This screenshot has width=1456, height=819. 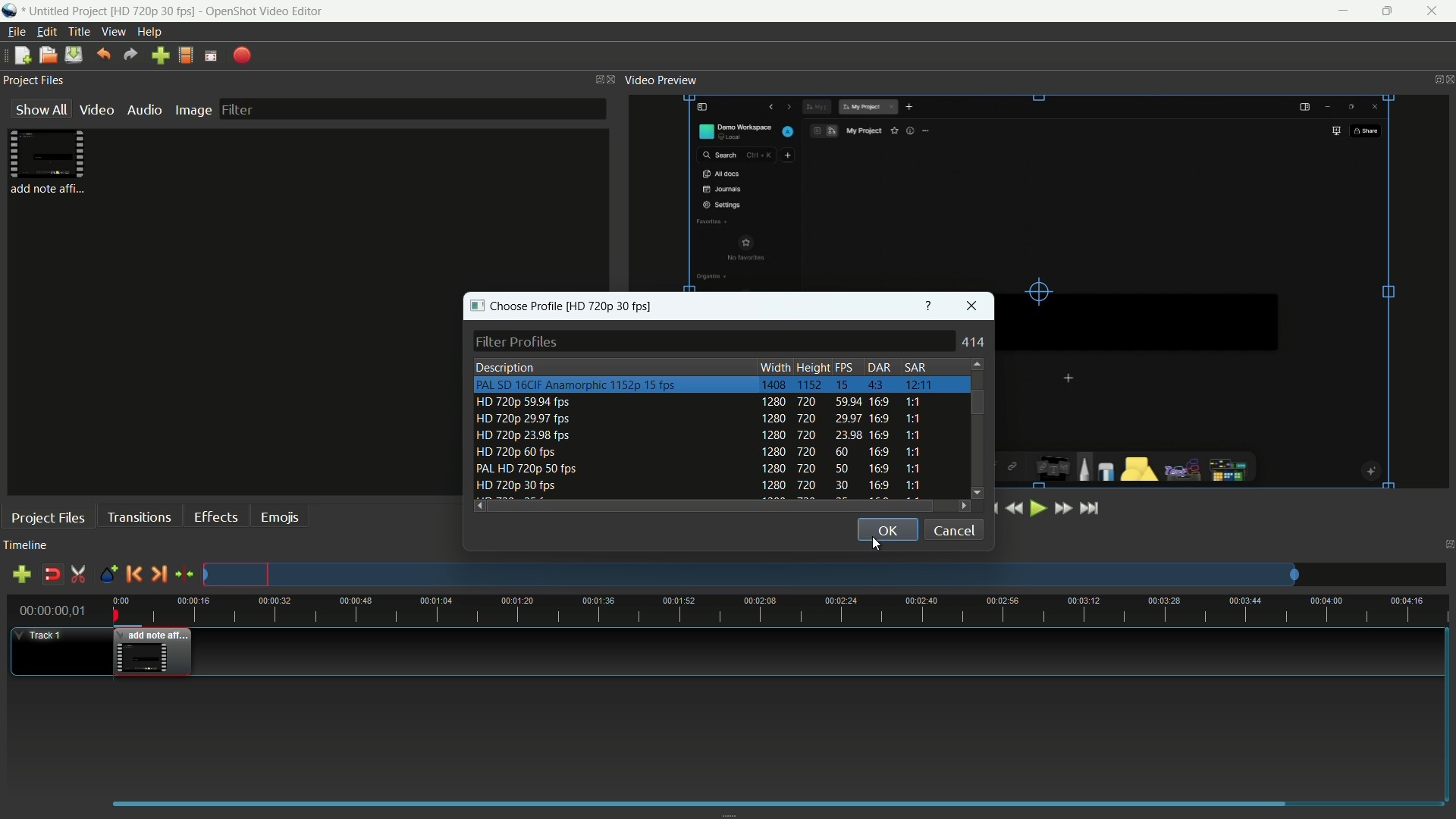 What do you see at coordinates (1090, 510) in the screenshot?
I see `jump to end` at bounding box center [1090, 510].